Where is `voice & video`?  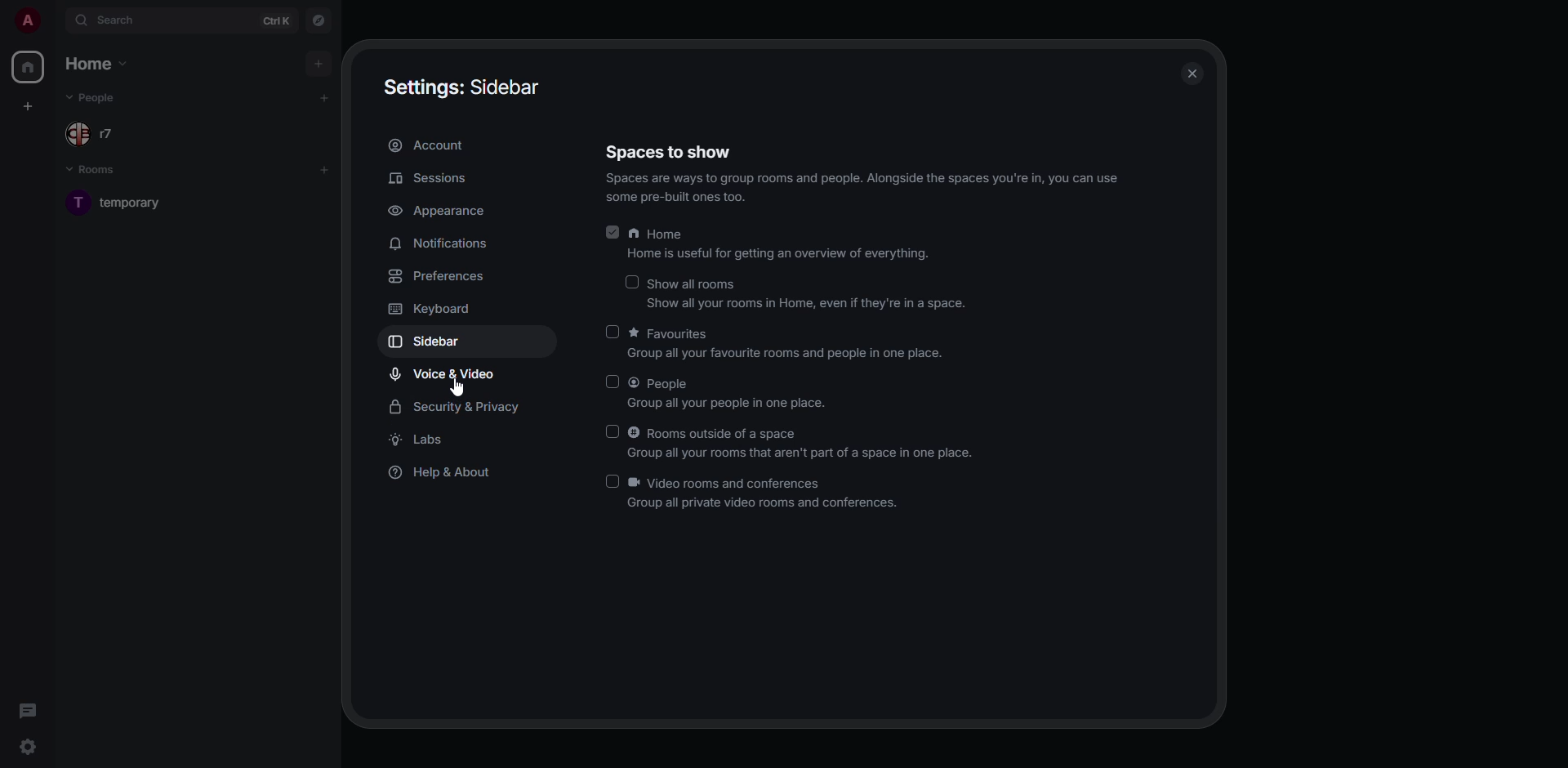
voice & video is located at coordinates (444, 373).